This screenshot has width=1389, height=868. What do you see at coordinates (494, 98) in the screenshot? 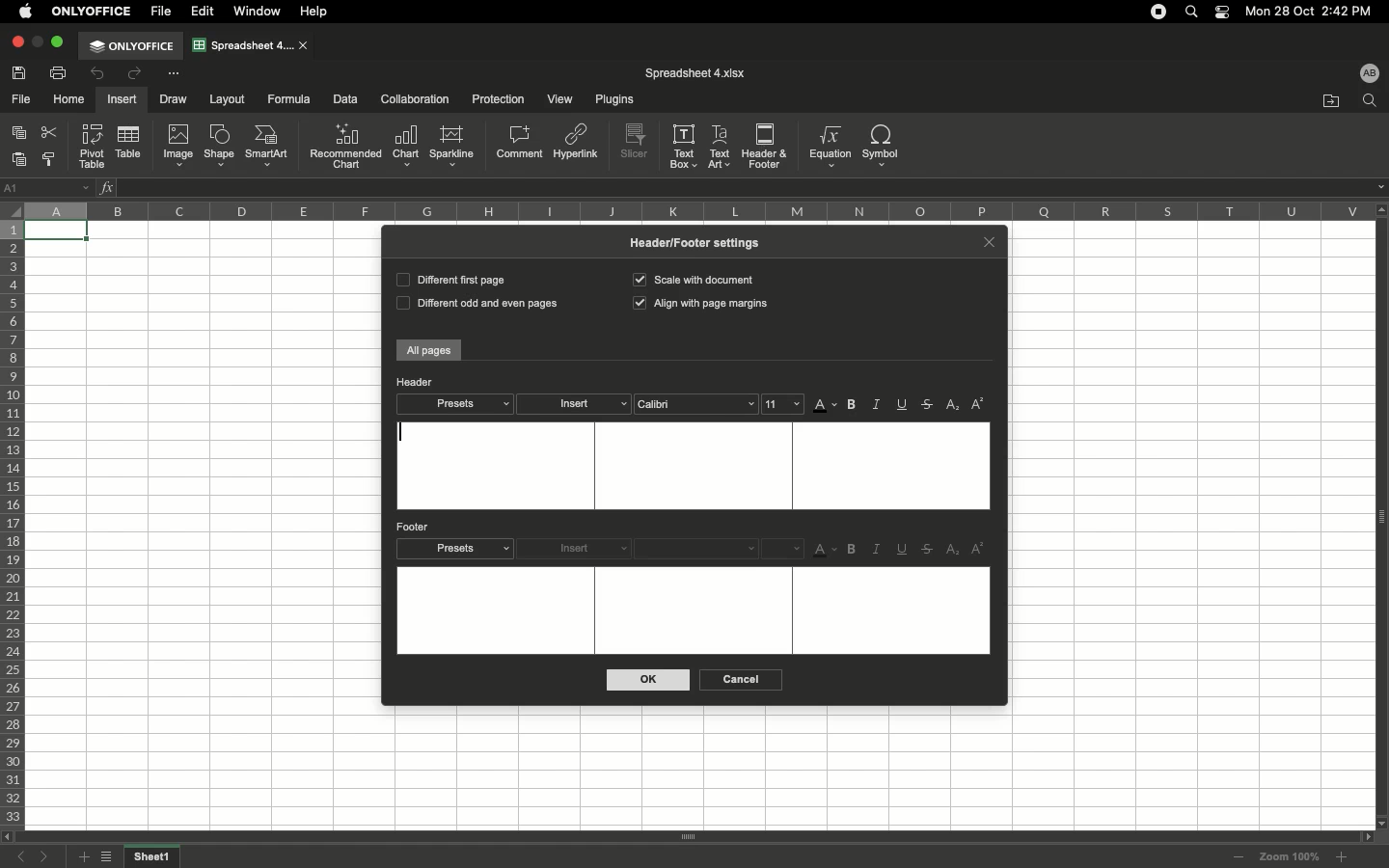
I see `Protection` at bounding box center [494, 98].